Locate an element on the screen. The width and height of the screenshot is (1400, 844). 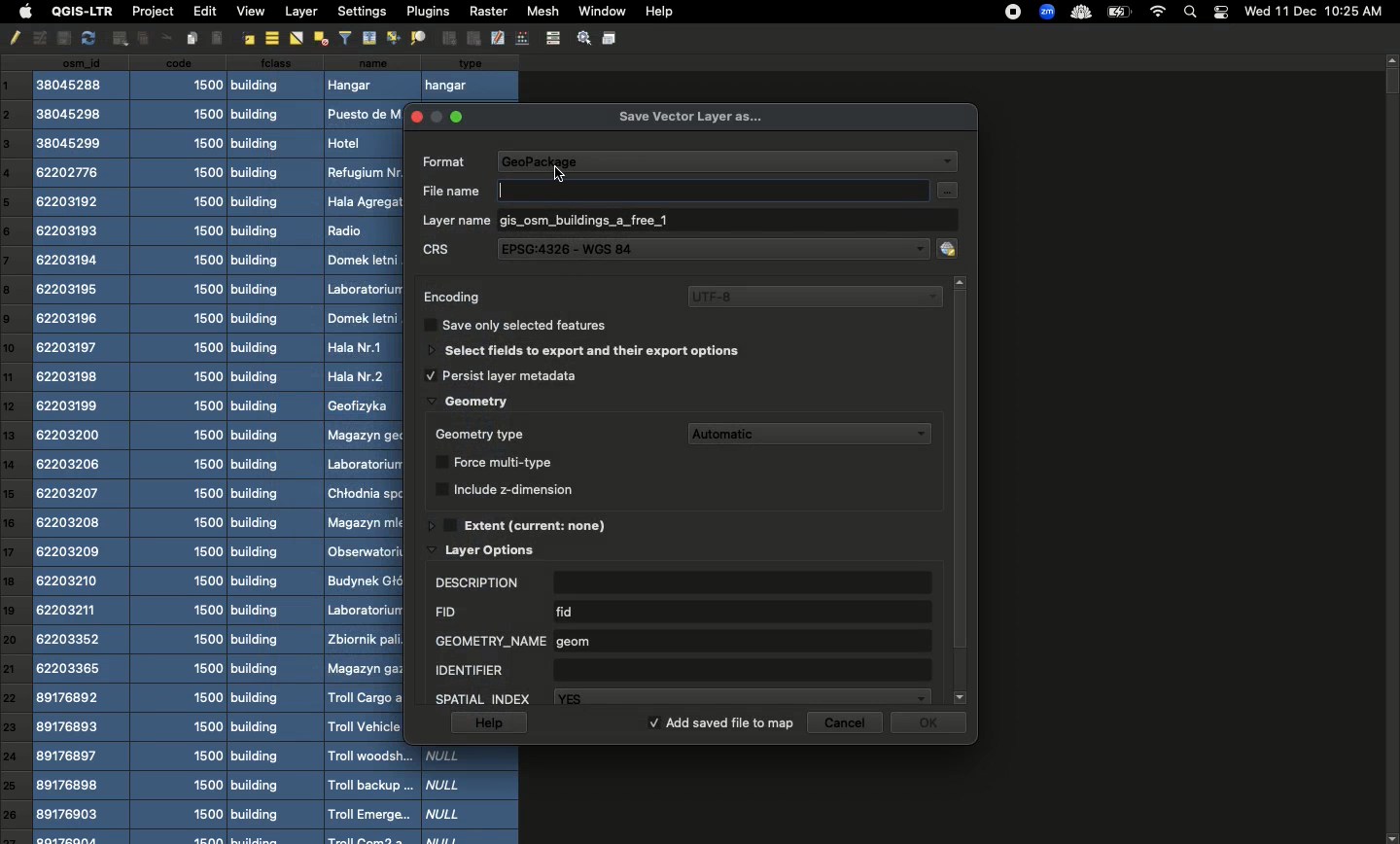
Insert Image is located at coordinates (192, 38).